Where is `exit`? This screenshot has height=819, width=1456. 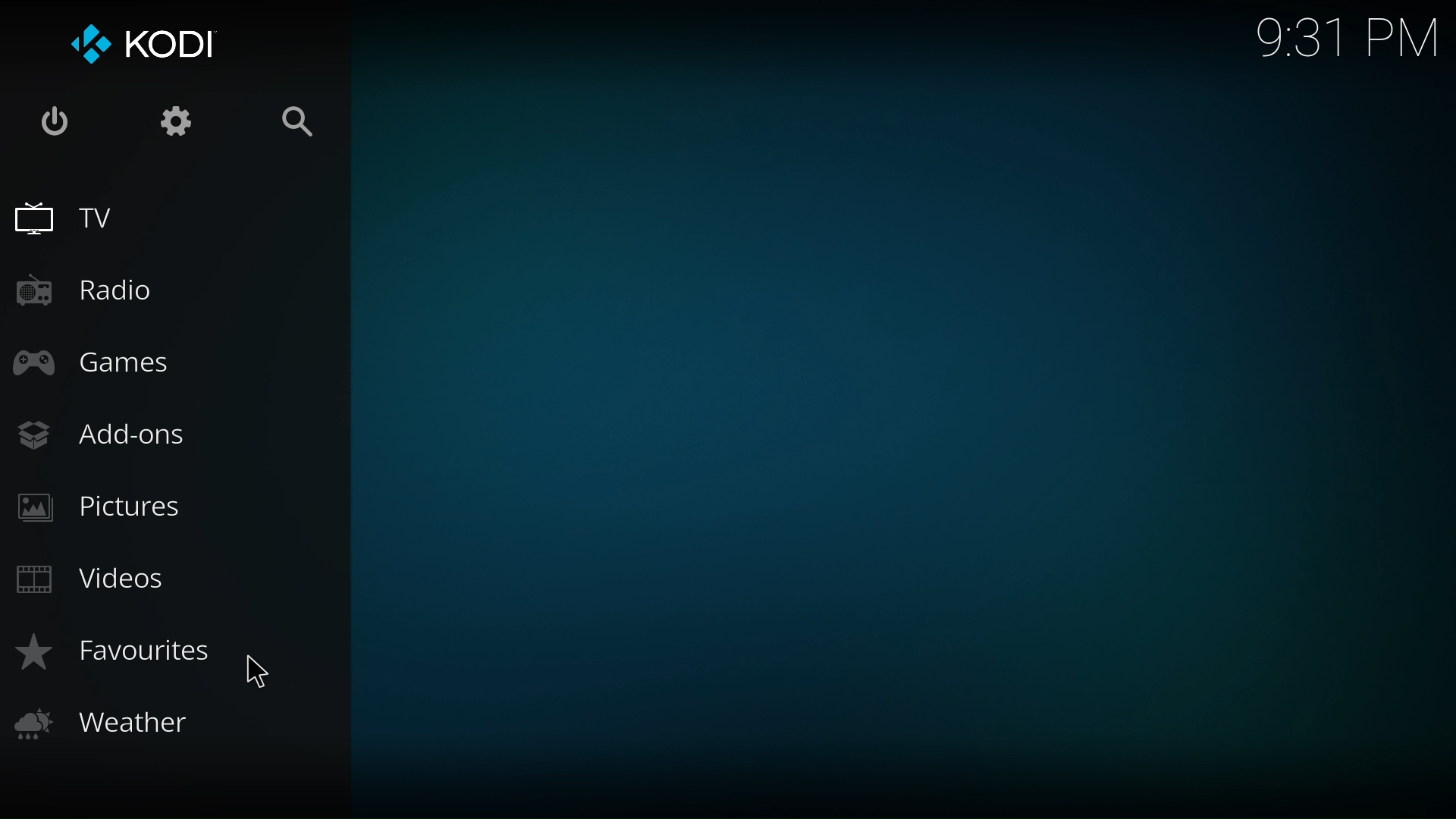
exit is located at coordinates (60, 125).